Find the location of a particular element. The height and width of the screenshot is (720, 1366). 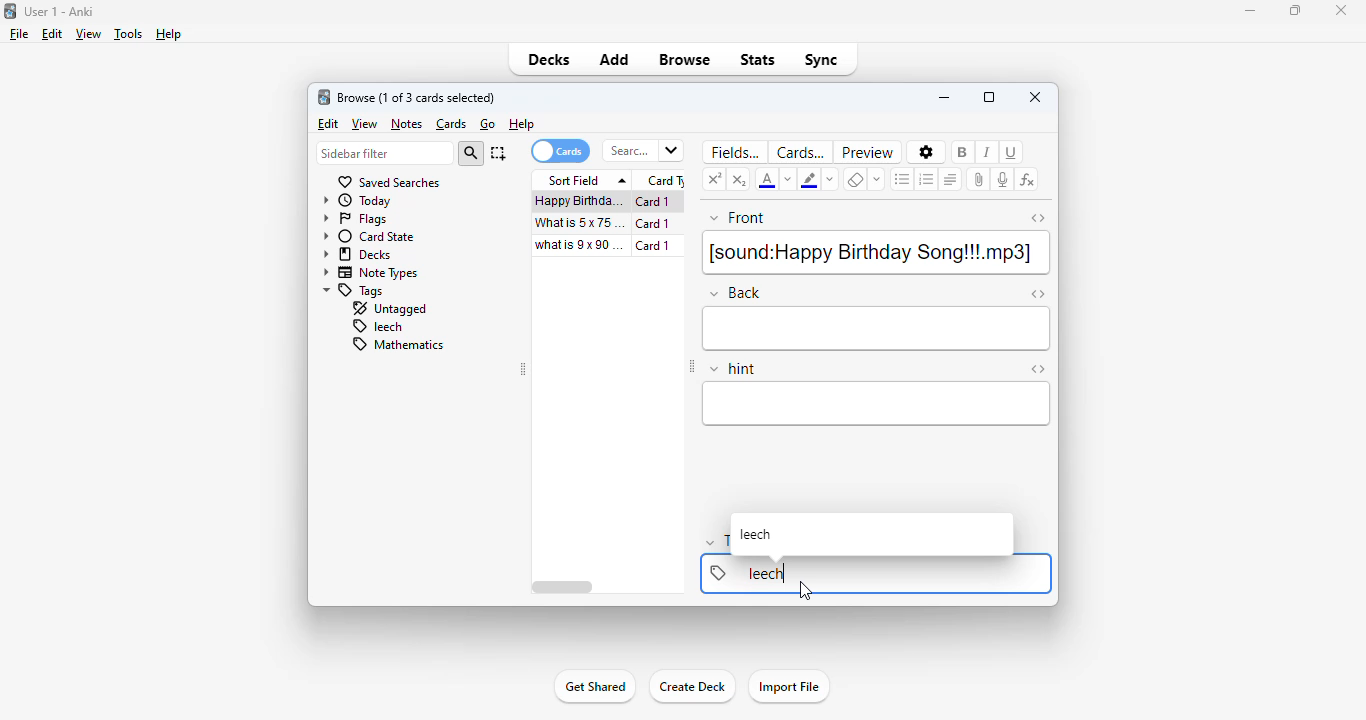

maximize is located at coordinates (990, 97).